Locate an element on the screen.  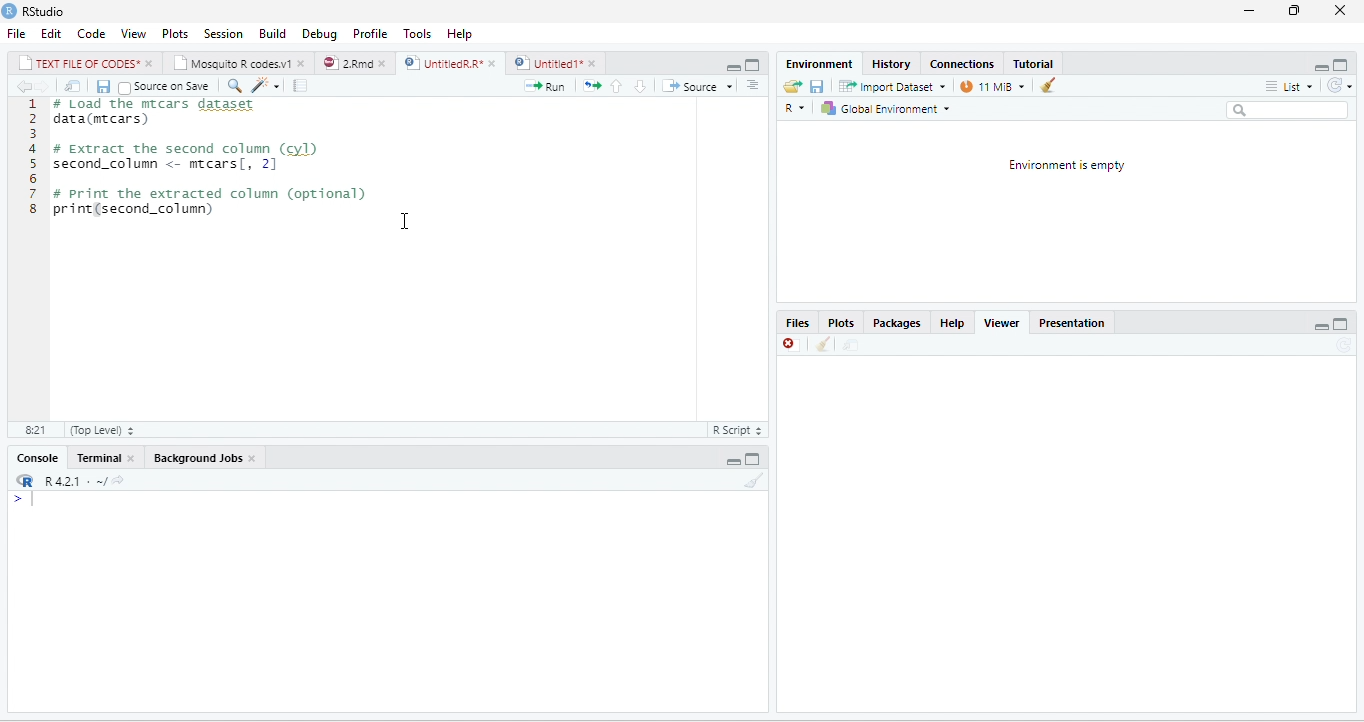
open is located at coordinates (789, 87).